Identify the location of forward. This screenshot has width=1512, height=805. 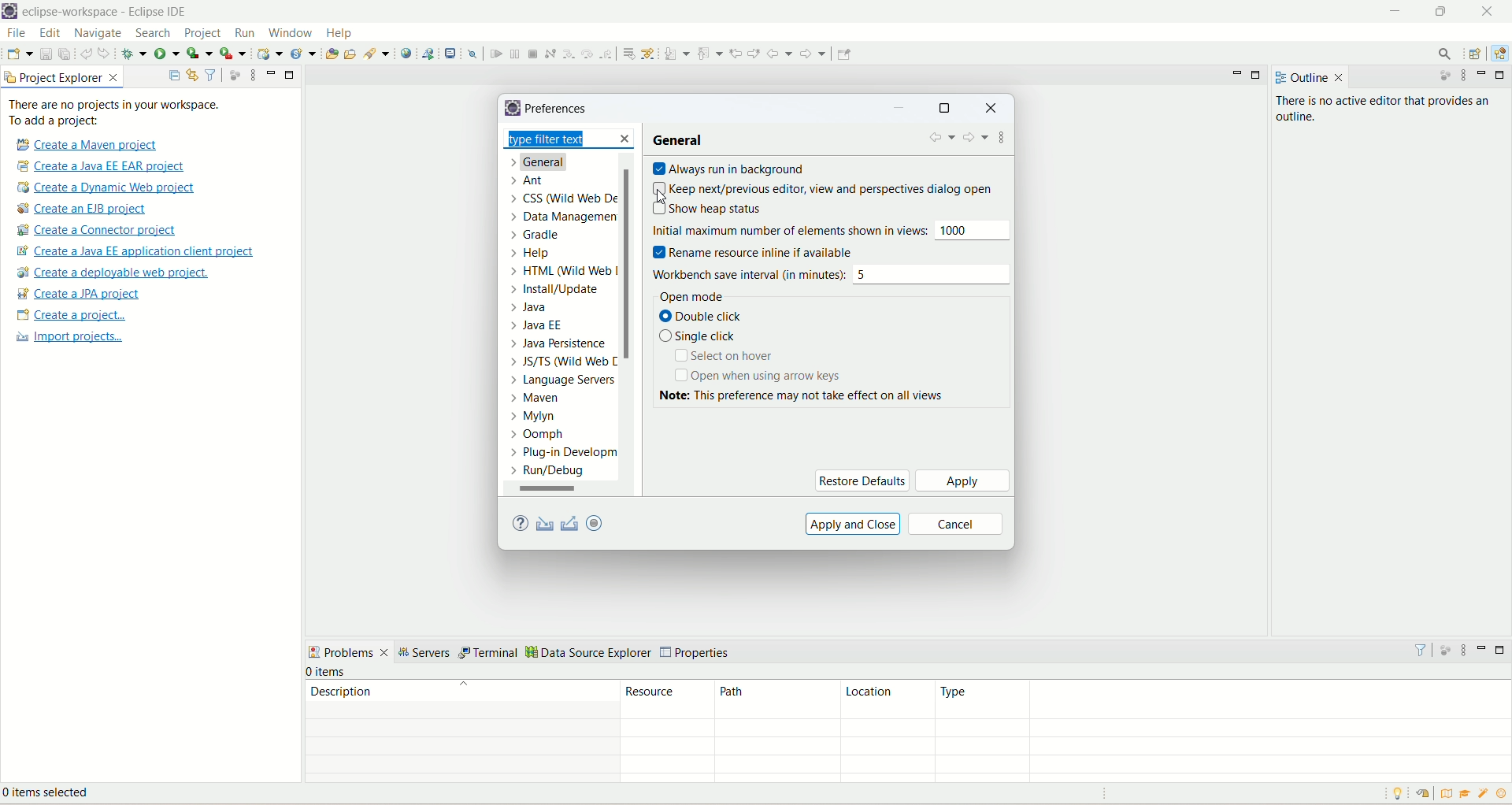
(976, 139).